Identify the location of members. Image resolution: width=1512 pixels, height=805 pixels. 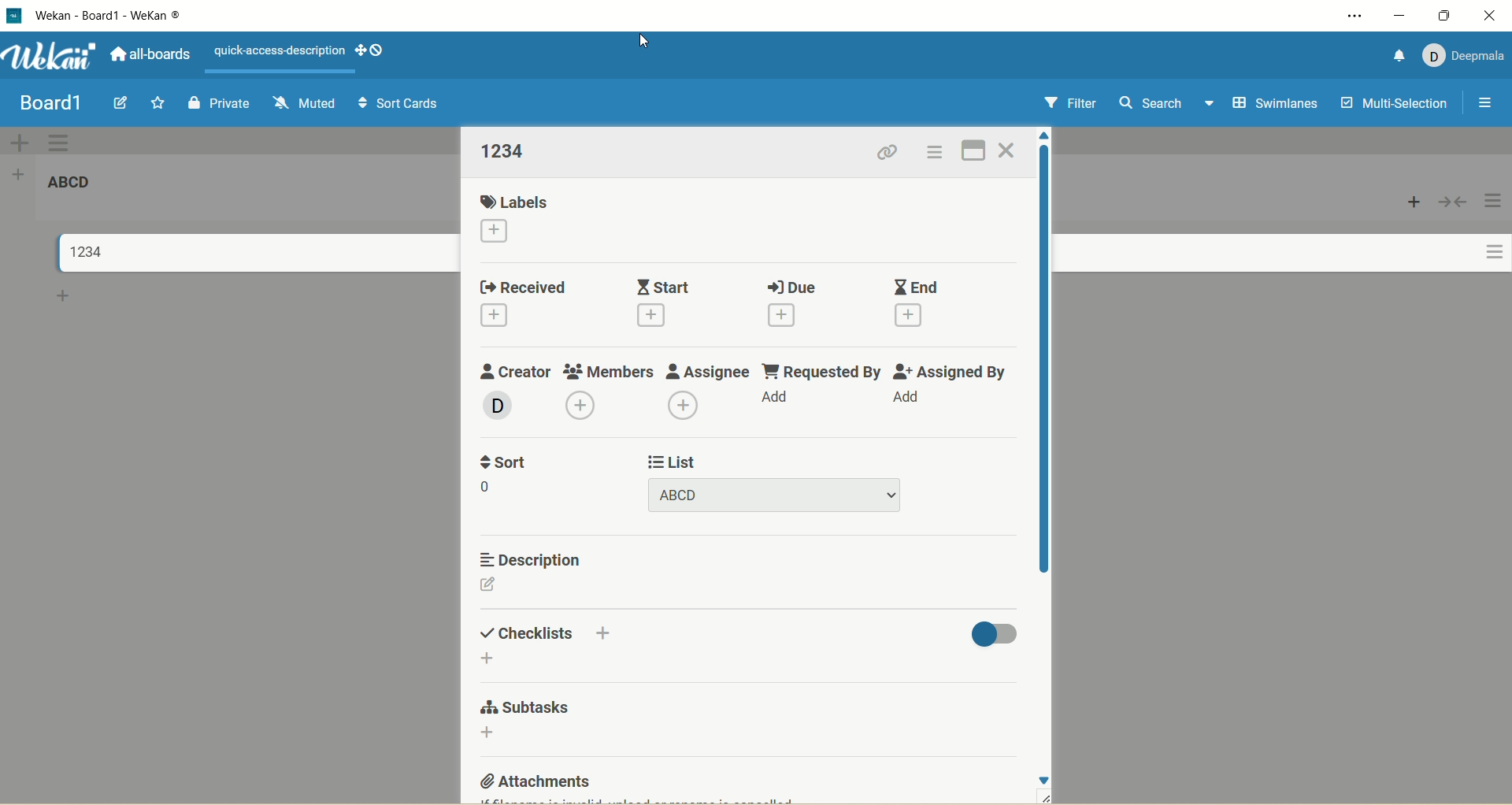
(604, 369).